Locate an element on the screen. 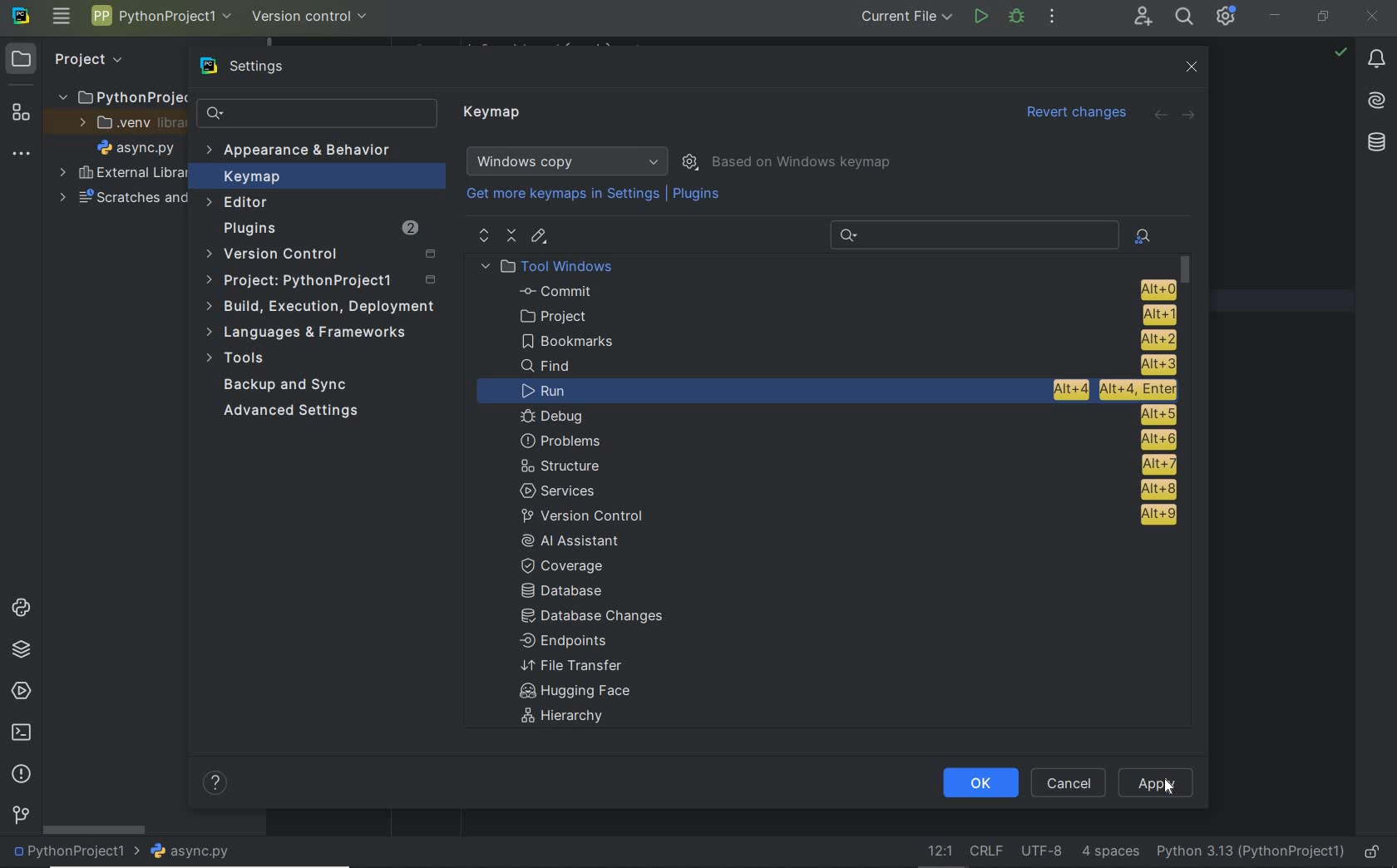 The image size is (1397, 868). version control is located at coordinates (21, 816).